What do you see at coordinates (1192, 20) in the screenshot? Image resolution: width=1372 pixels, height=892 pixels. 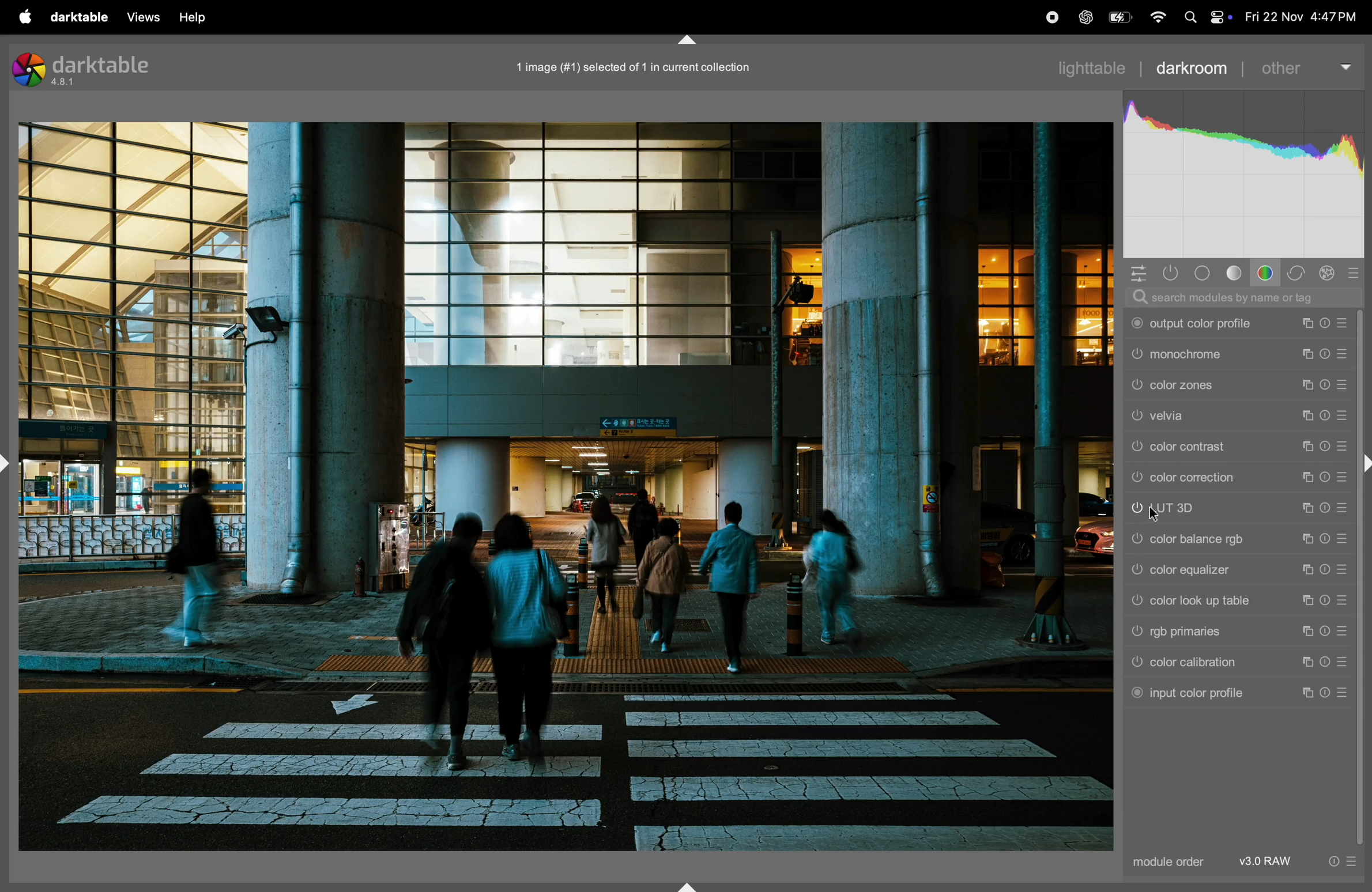 I see `spotlight search` at bounding box center [1192, 20].